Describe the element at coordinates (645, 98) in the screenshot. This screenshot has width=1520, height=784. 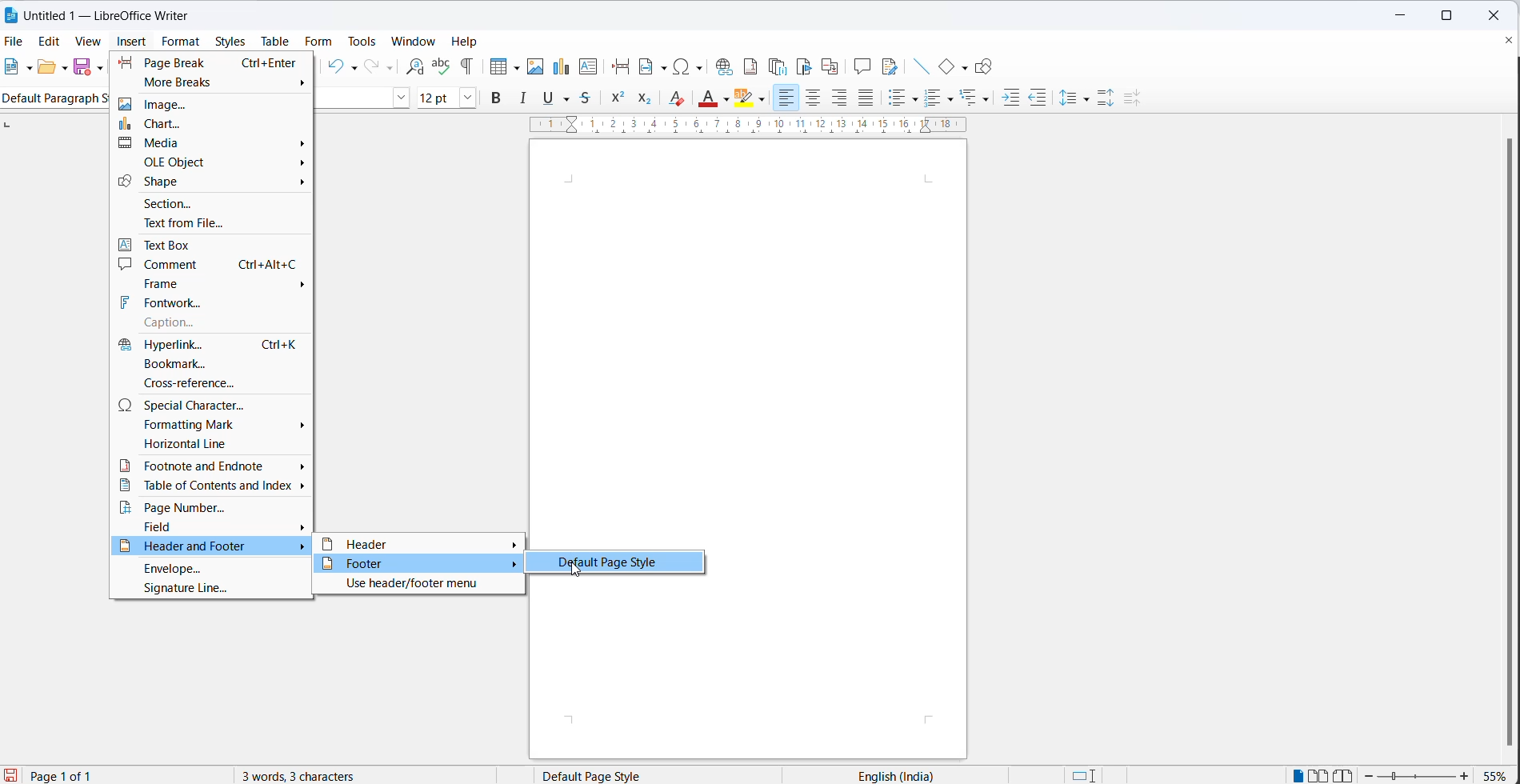
I see `subscript` at that location.